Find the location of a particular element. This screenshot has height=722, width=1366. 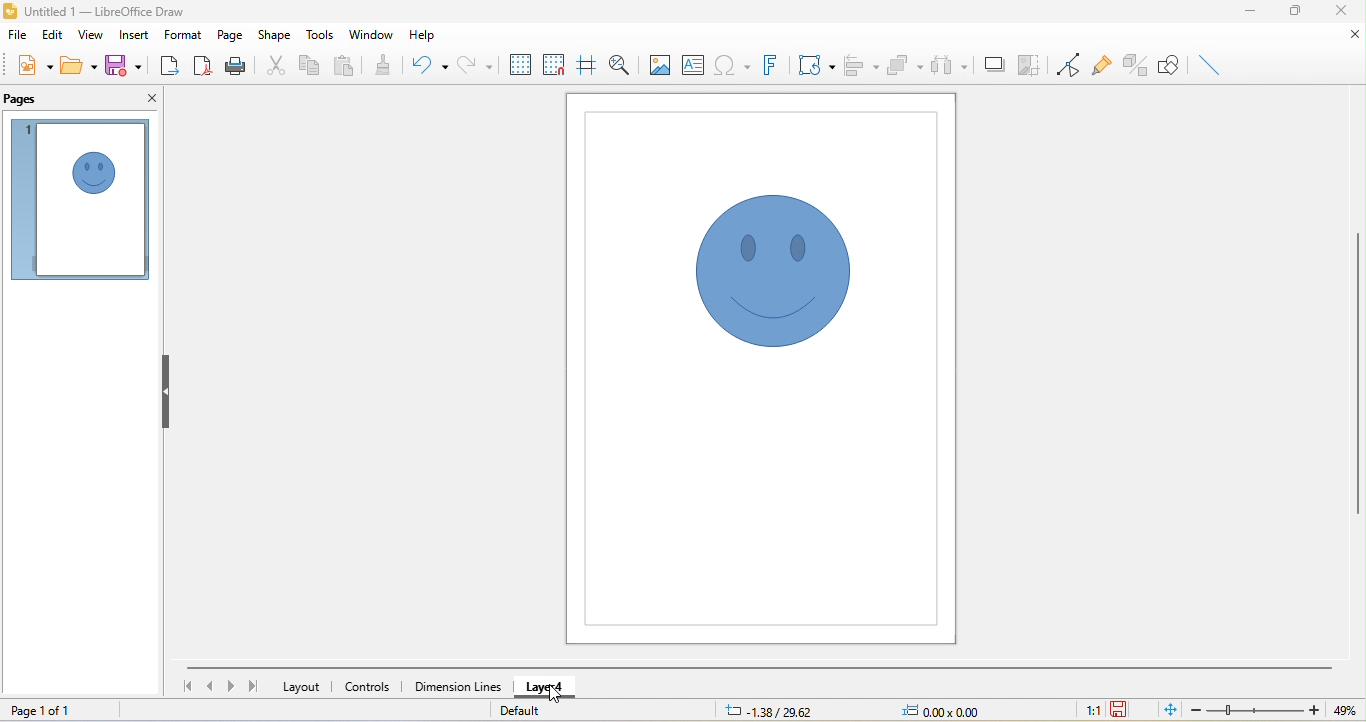

glue point function is located at coordinates (1104, 65).